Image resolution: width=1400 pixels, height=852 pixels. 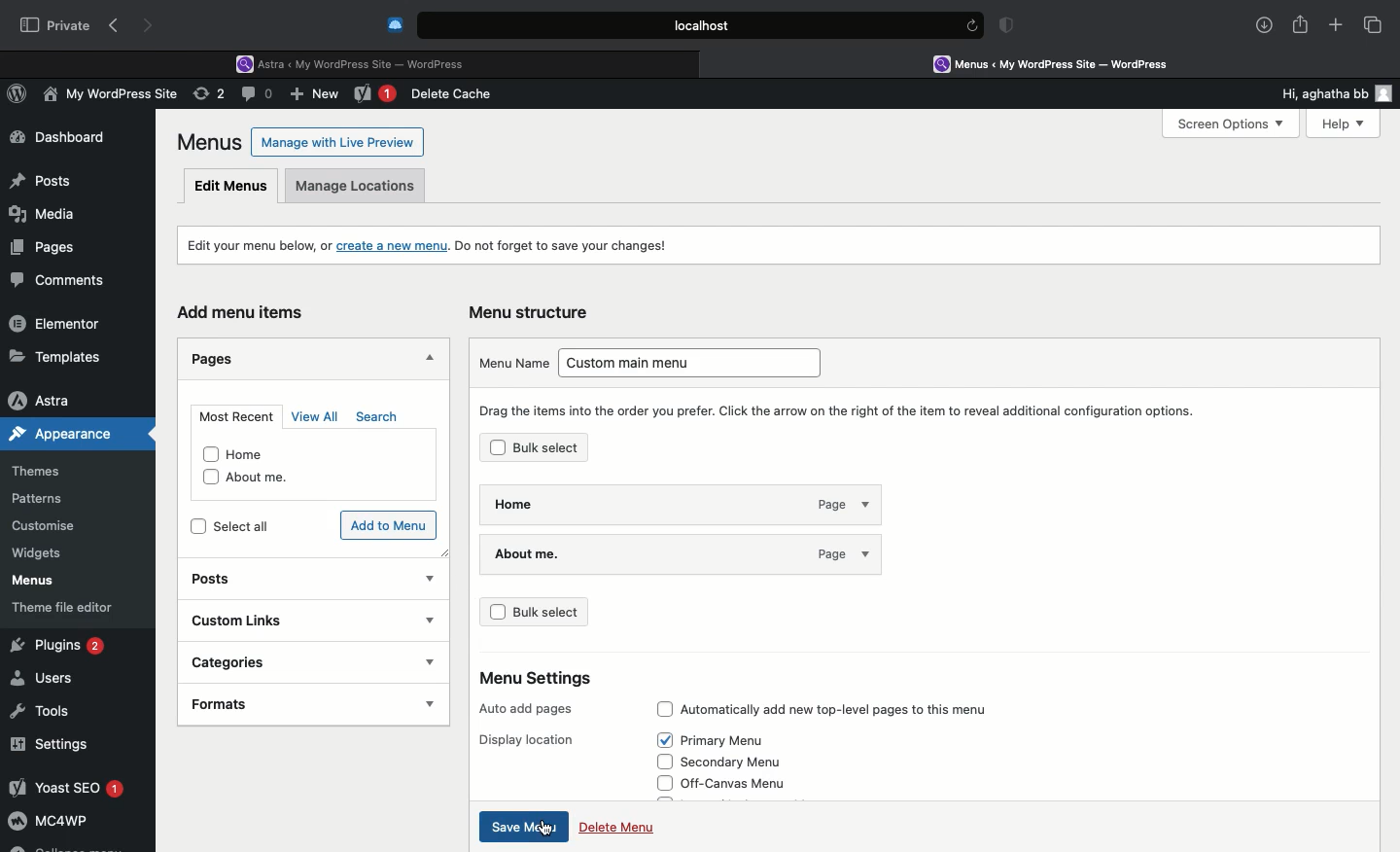 What do you see at coordinates (40, 176) in the screenshot?
I see `Posts` at bounding box center [40, 176].